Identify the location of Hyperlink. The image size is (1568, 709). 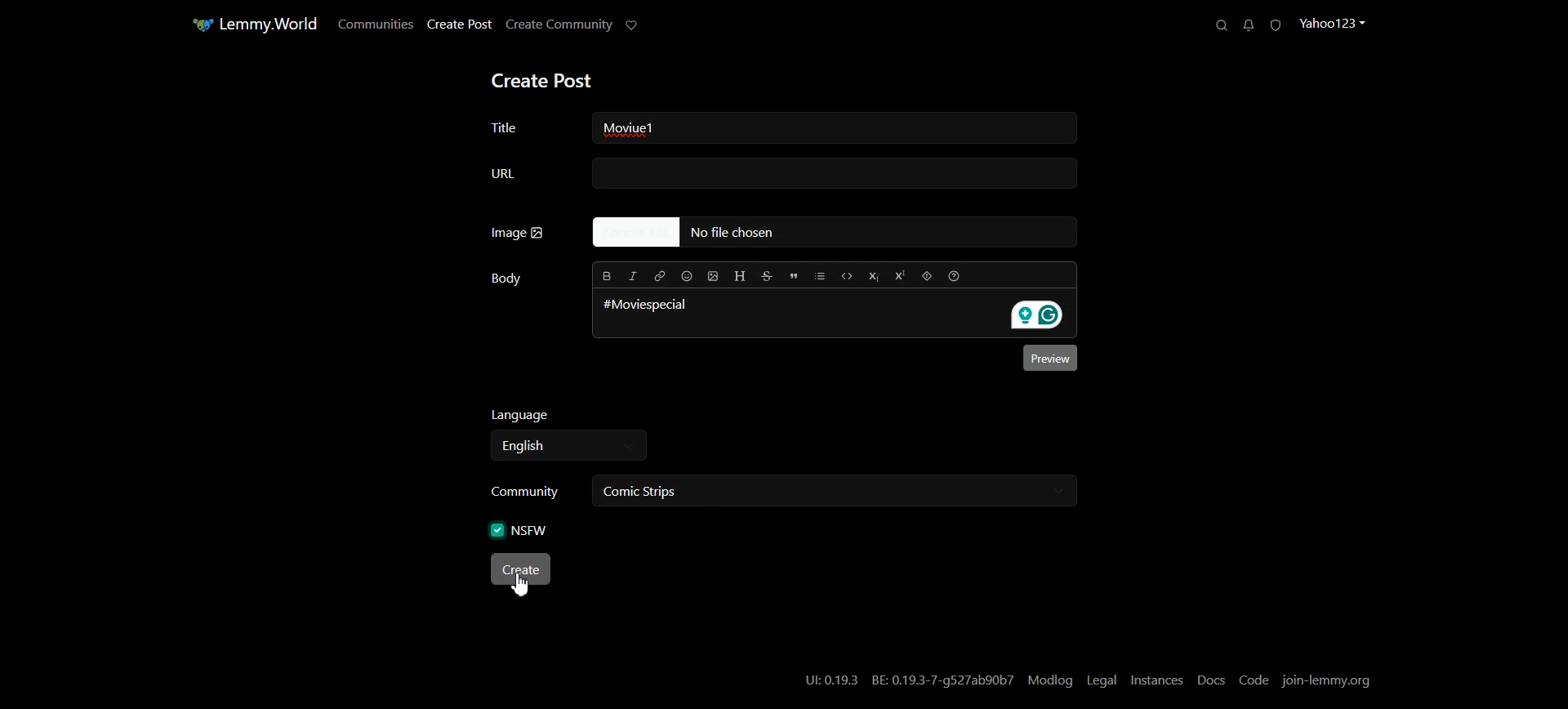
(661, 277).